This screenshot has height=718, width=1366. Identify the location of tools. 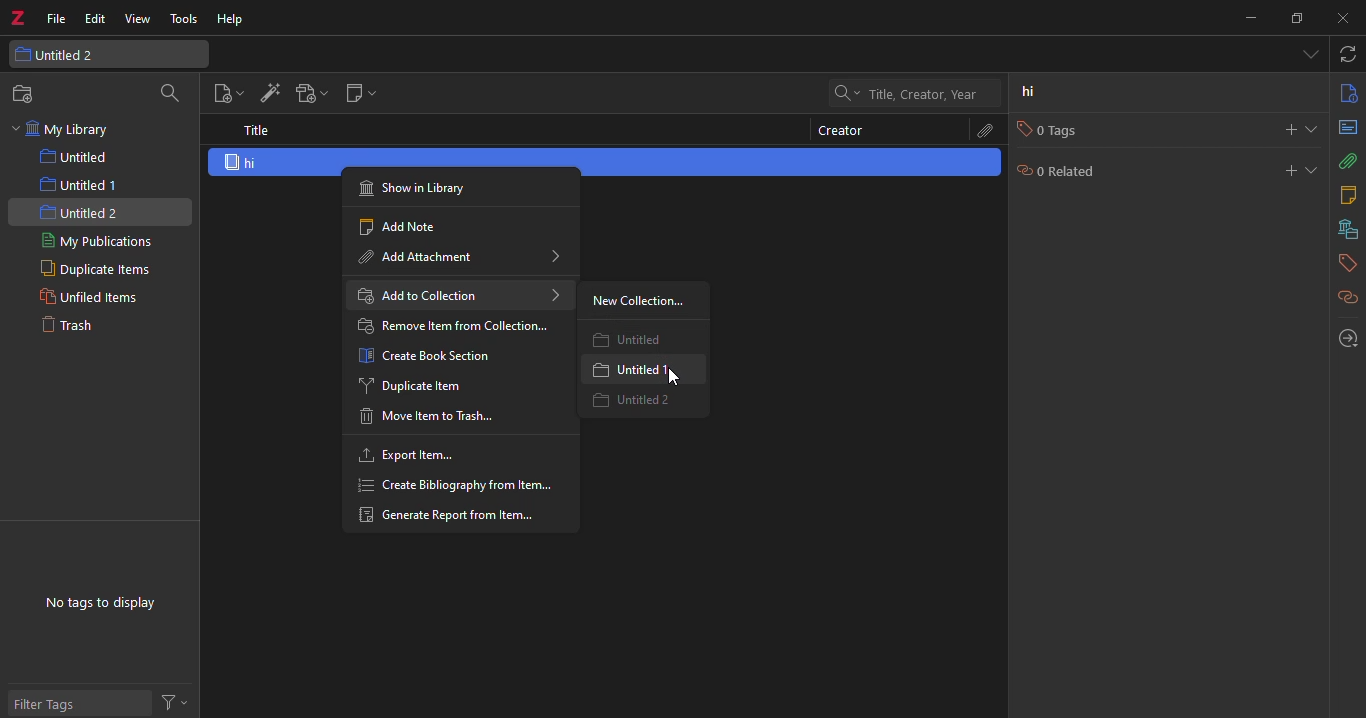
(186, 19).